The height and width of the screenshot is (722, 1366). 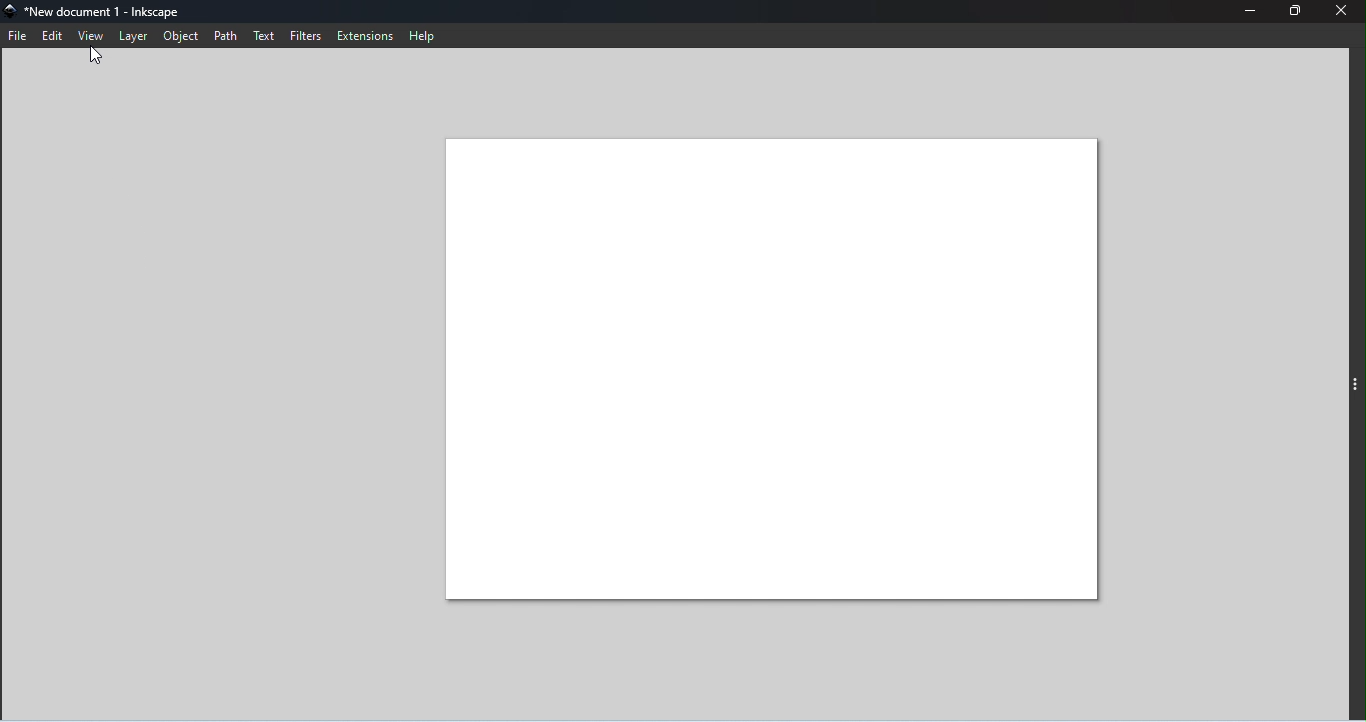 I want to click on Filters, so click(x=308, y=36).